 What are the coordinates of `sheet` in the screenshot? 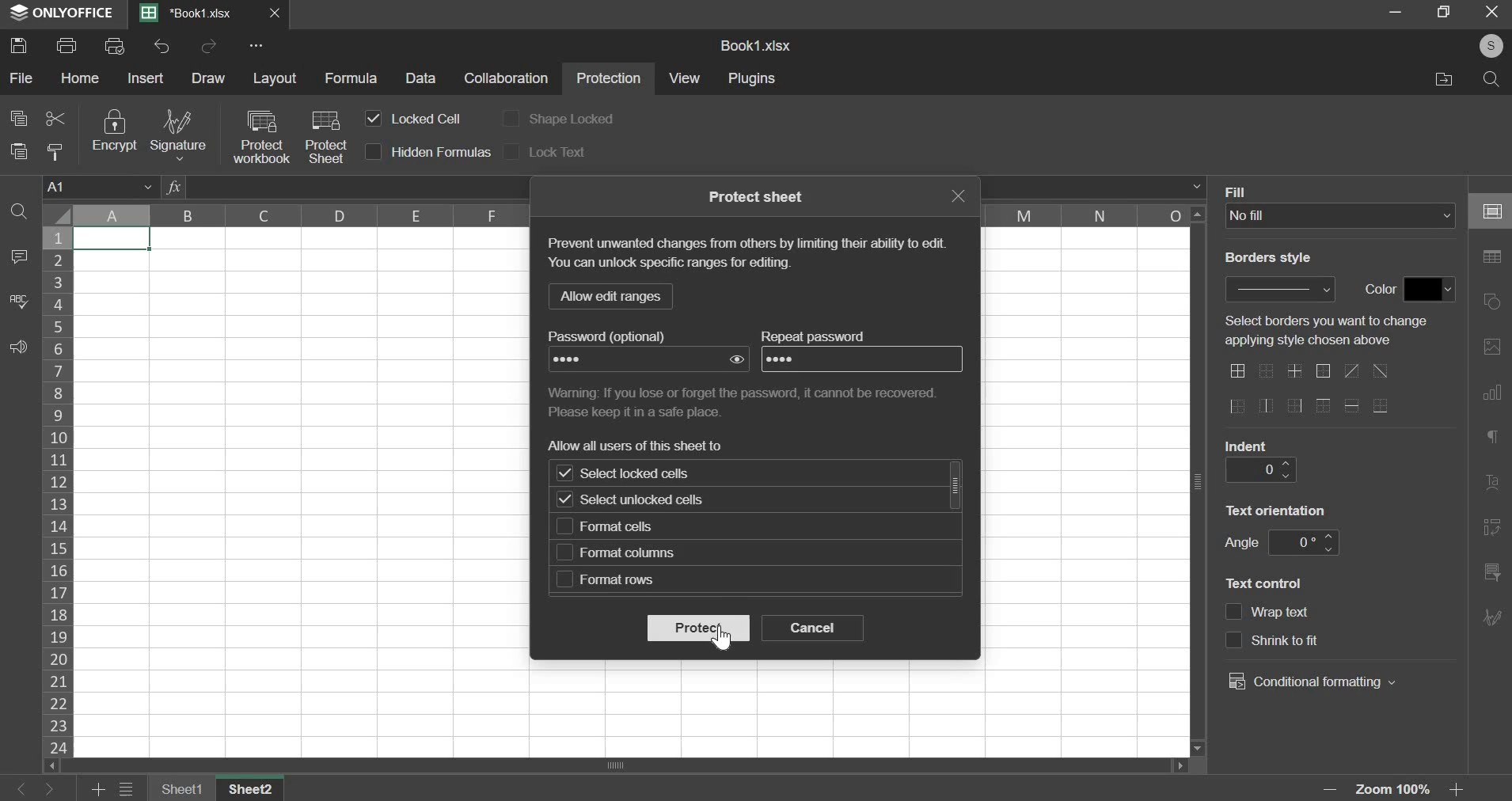 It's located at (255, 788).